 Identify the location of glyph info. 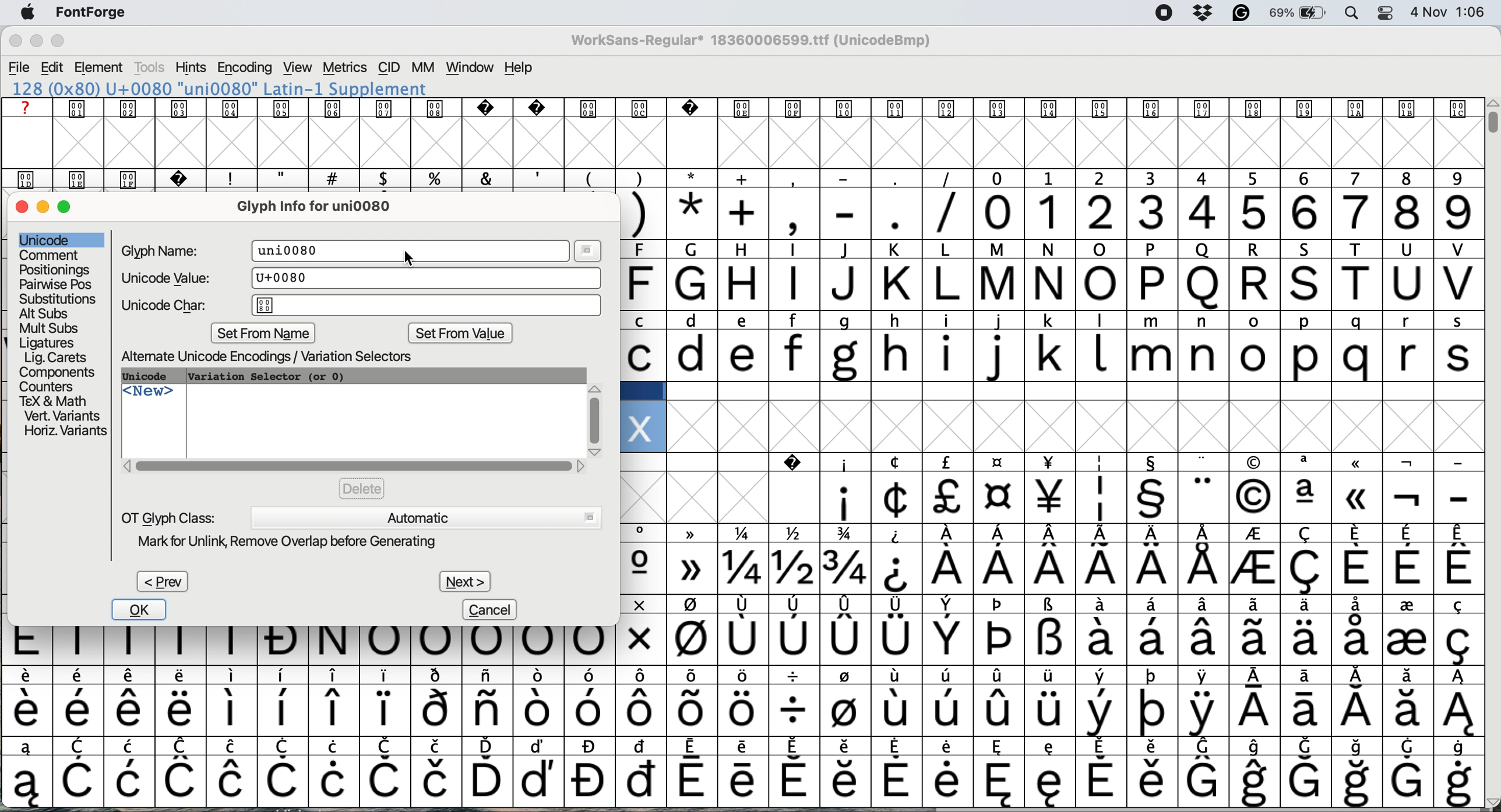
(323, 206).